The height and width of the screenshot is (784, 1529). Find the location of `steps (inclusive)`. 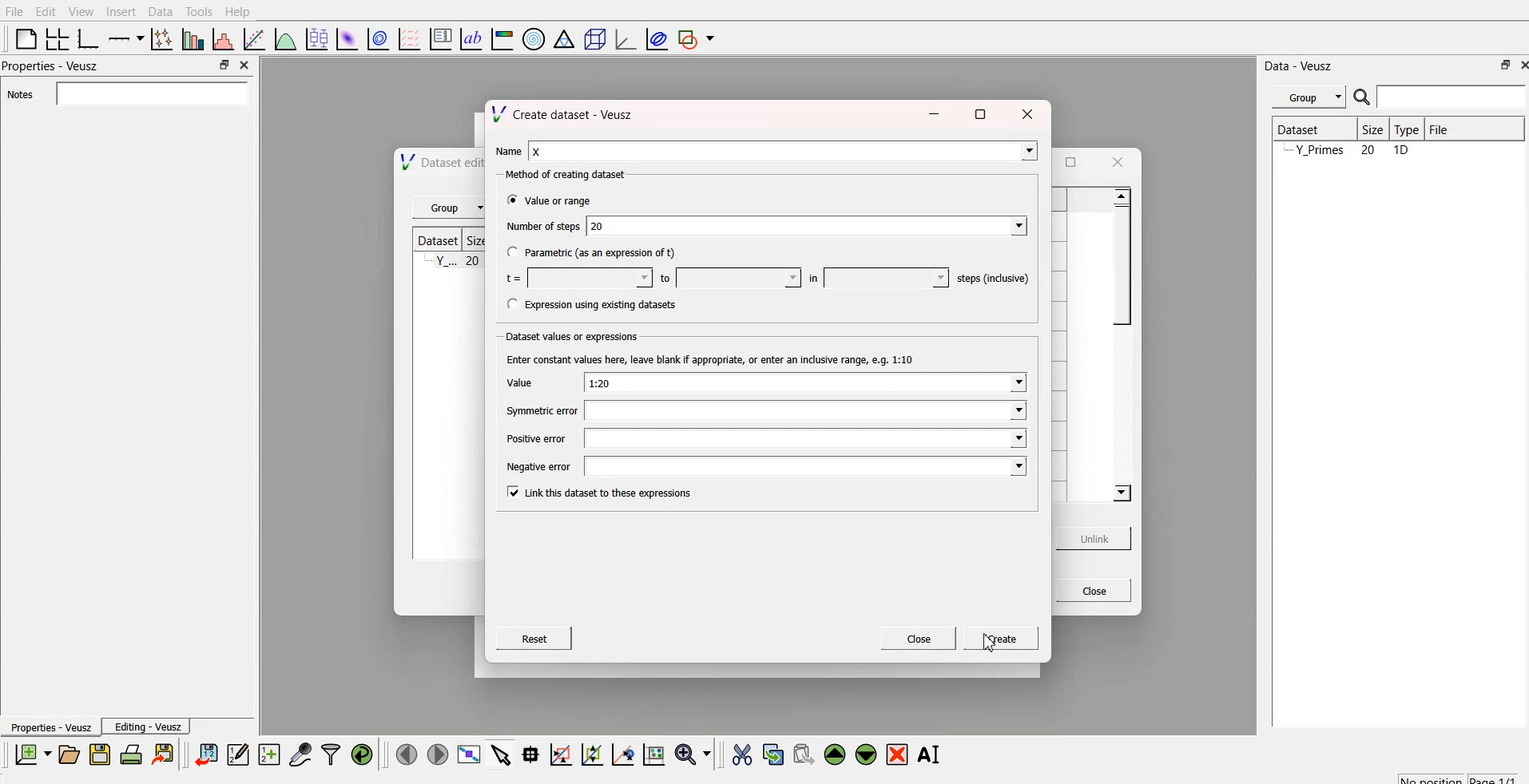

steps (inclusive) is located at coordinates (992, 279).